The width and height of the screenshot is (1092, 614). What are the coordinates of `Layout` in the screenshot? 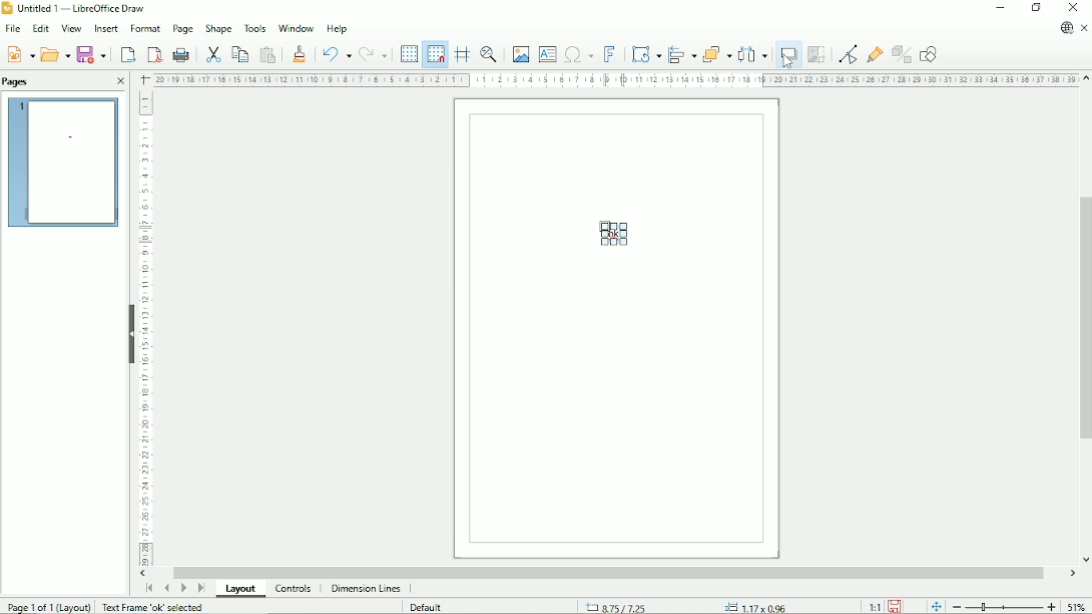 It's located at (245, 589).